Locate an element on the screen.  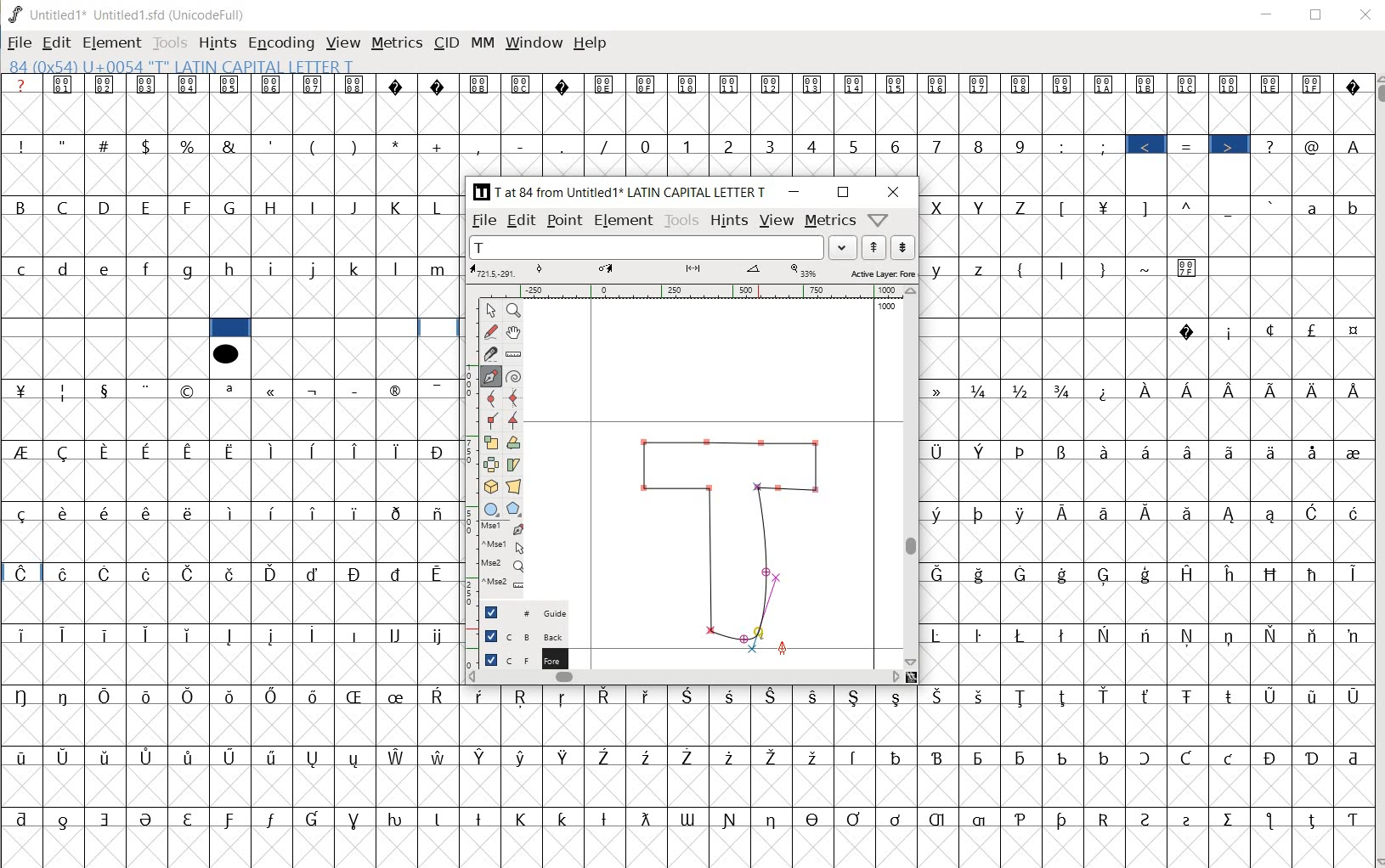
; is located at coordinates (1105, 146).